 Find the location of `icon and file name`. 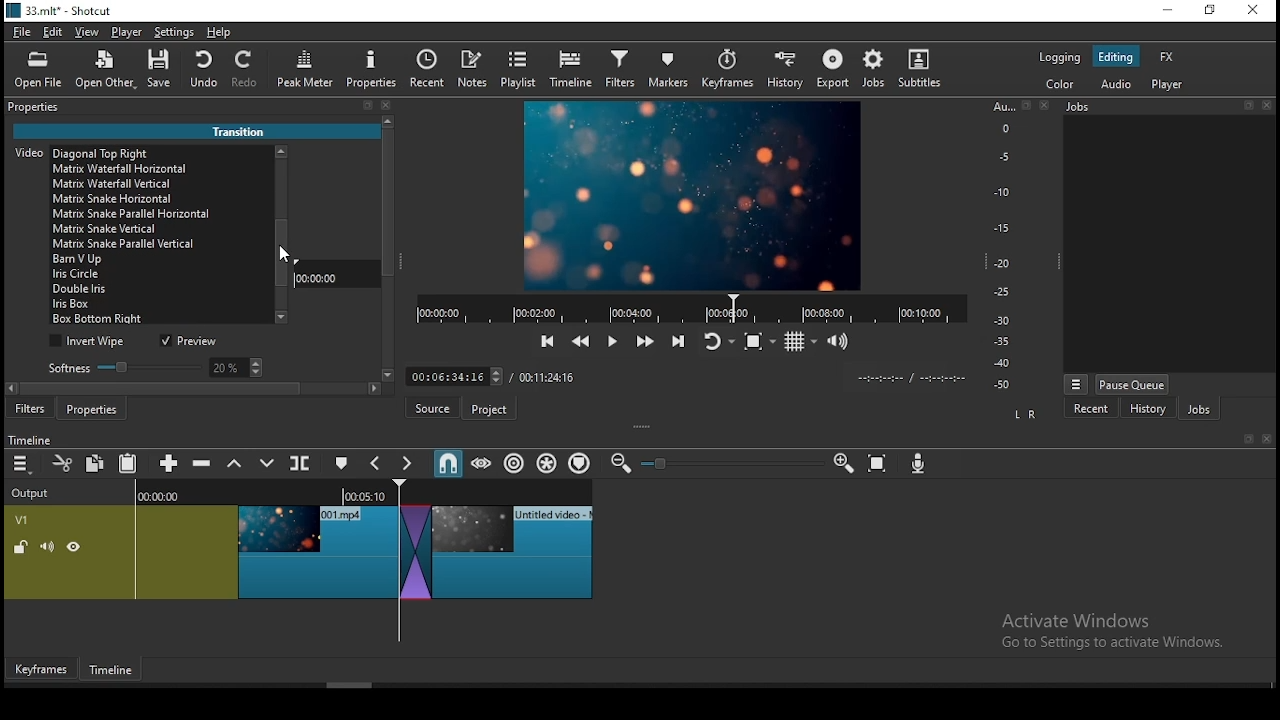

icon and file name is located at coordinates (62, 13).